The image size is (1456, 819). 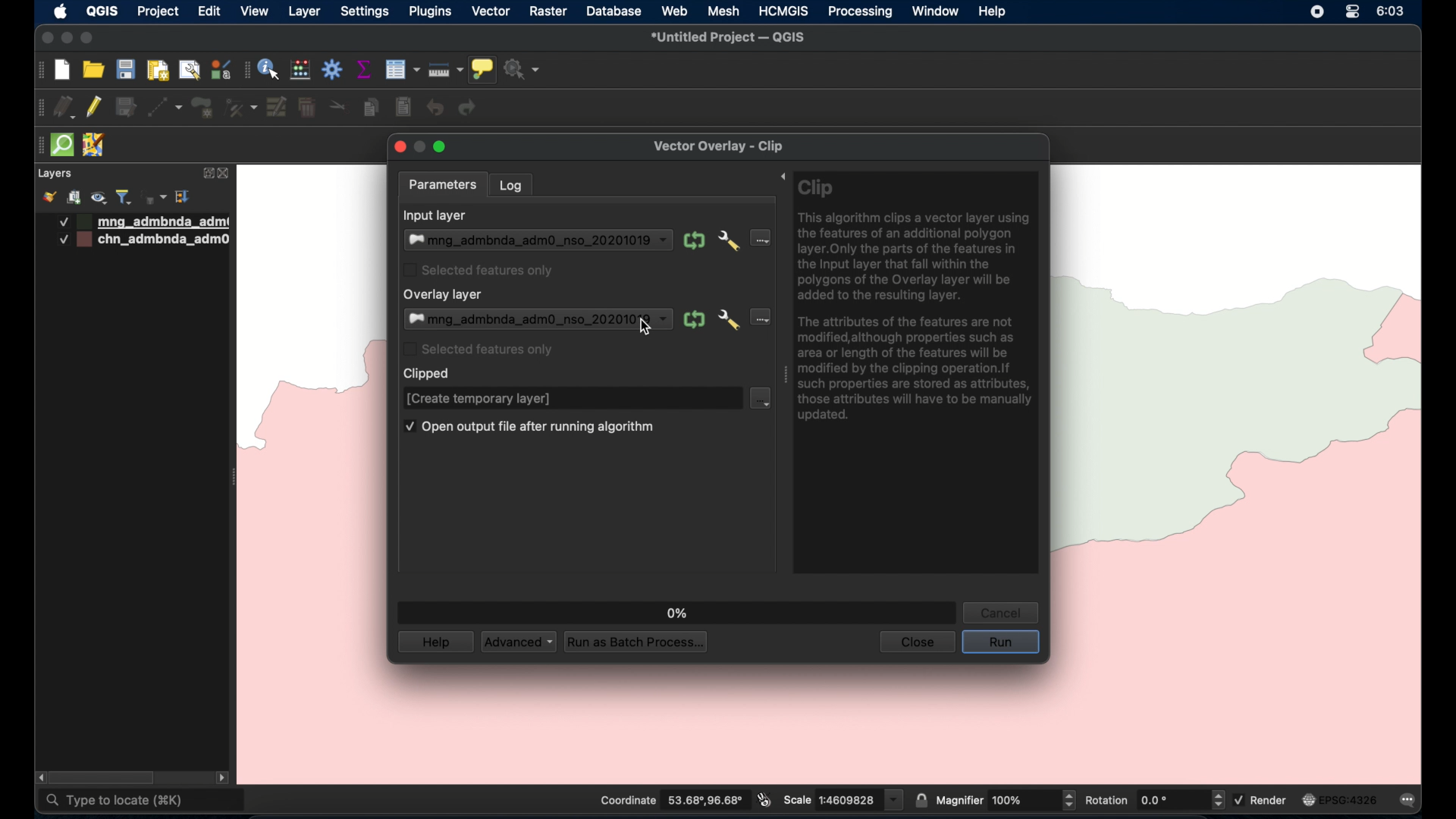 I want to click on selected featuqresonly checkbox, so click(x=479, y=348).